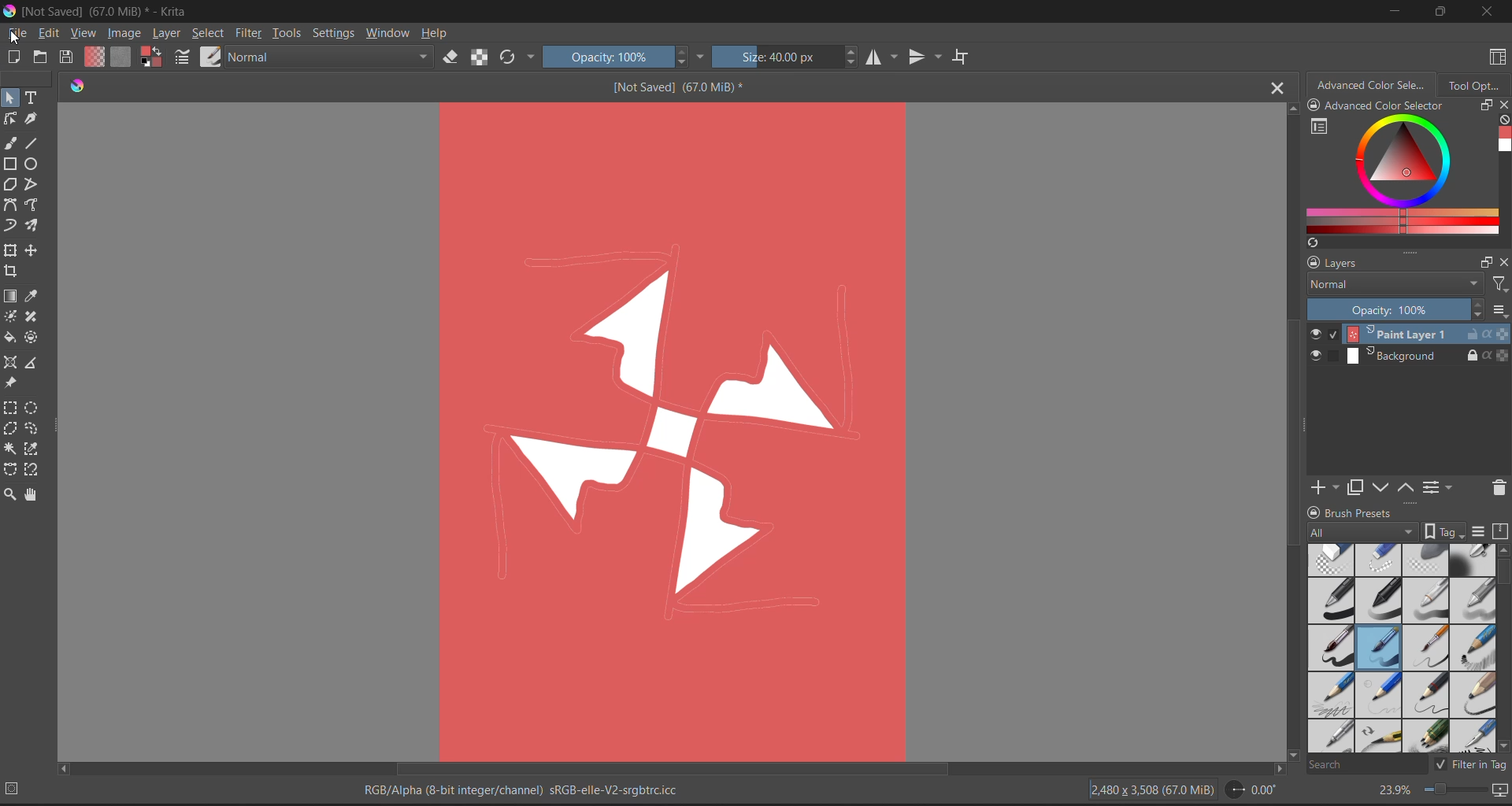  I want to click on filter tag, so click(1471, 766).